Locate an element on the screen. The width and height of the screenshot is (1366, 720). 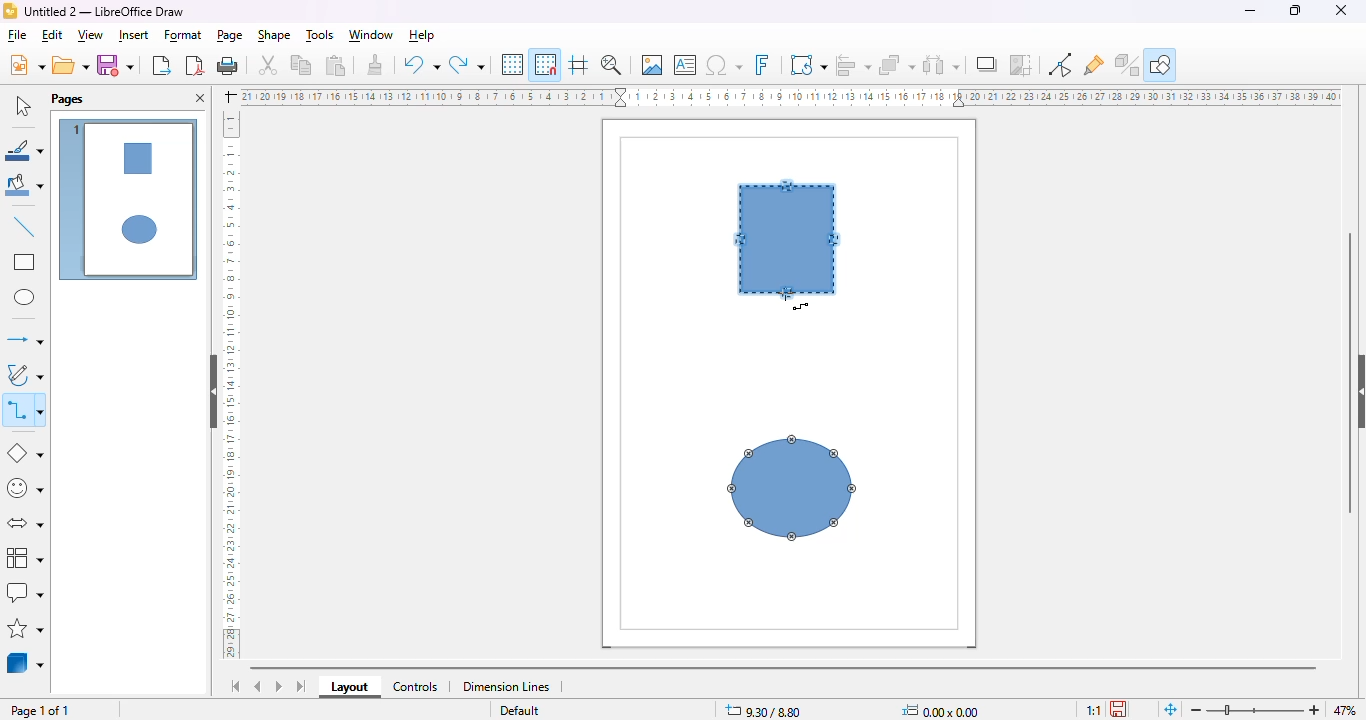
scaling factor of the document is located at coordinates (1091, 708).